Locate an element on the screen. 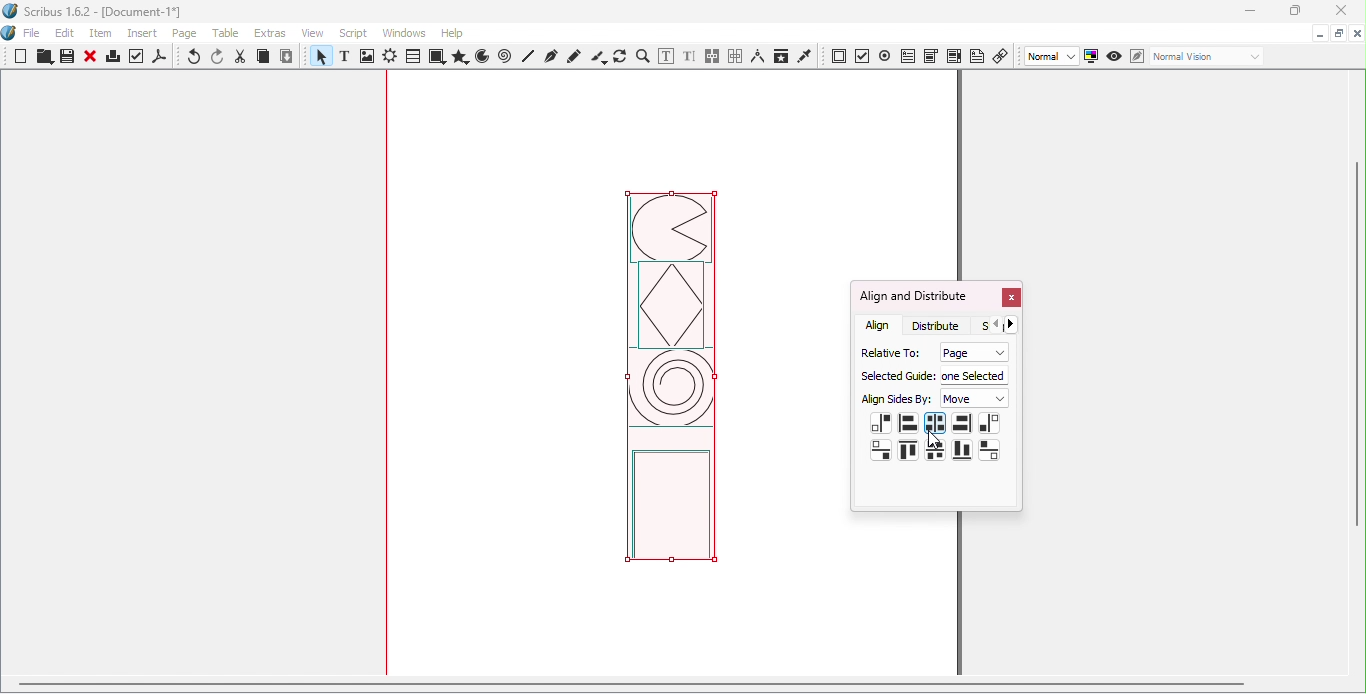  Copy item properties is located at coordinates (780, 56).